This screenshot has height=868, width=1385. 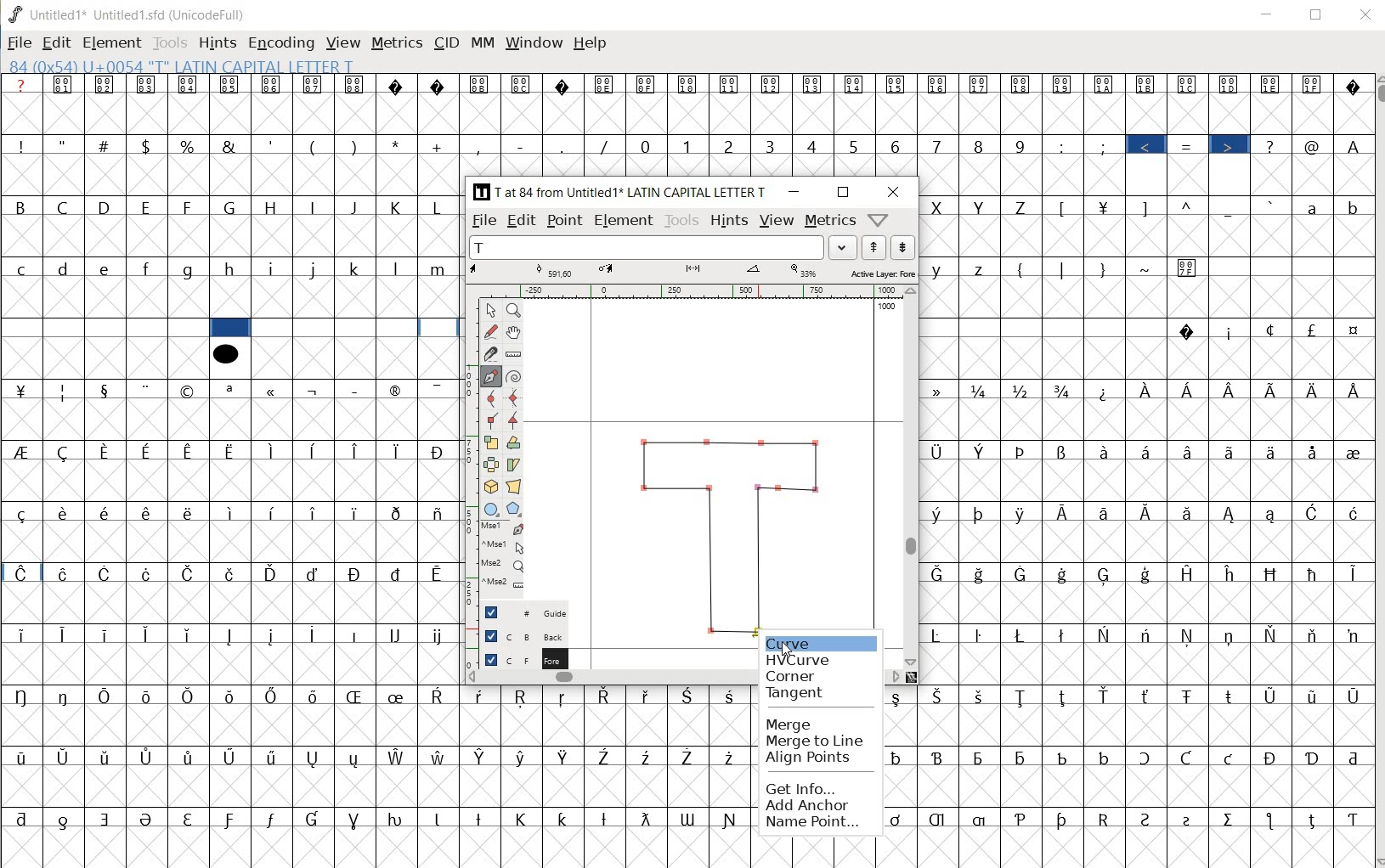 I want to click on Symbol, so click(x=314, y=451).